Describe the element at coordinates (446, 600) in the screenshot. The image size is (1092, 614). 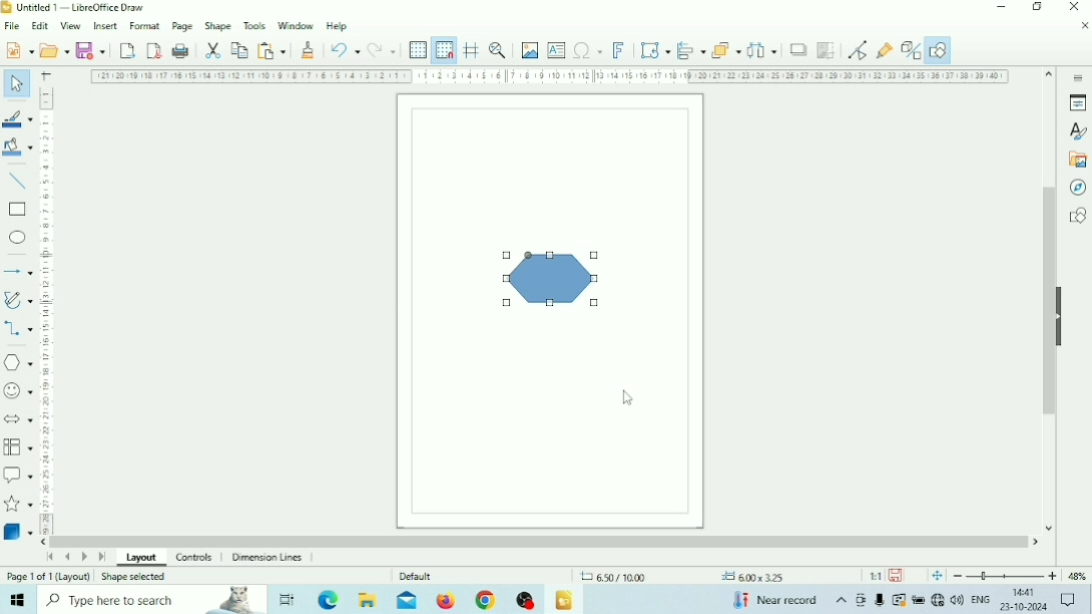
I see `Firefox` at that location.